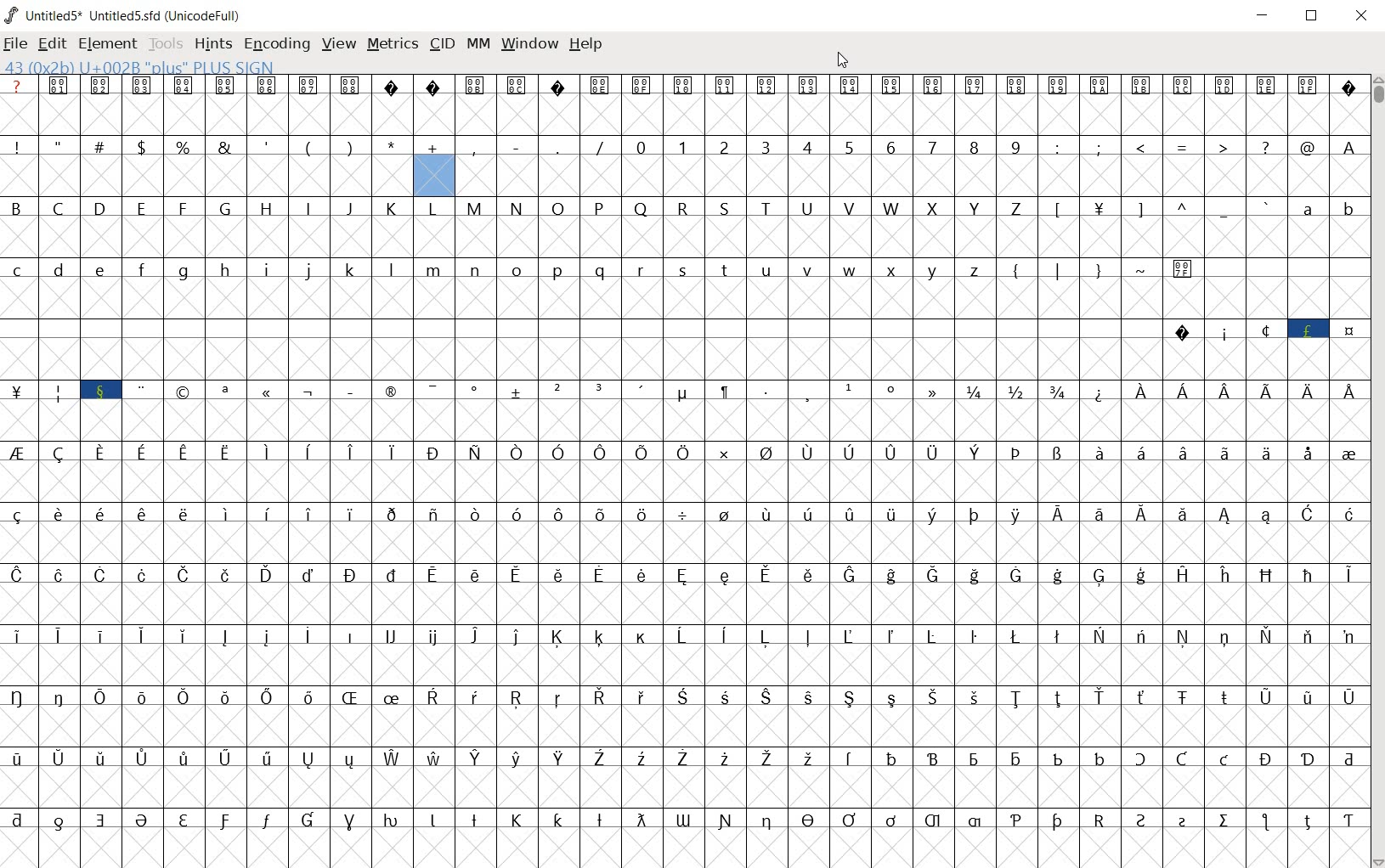 The width and height of the screenshot is (1385, 868). I want to click on minimize, so click(1265, 14).